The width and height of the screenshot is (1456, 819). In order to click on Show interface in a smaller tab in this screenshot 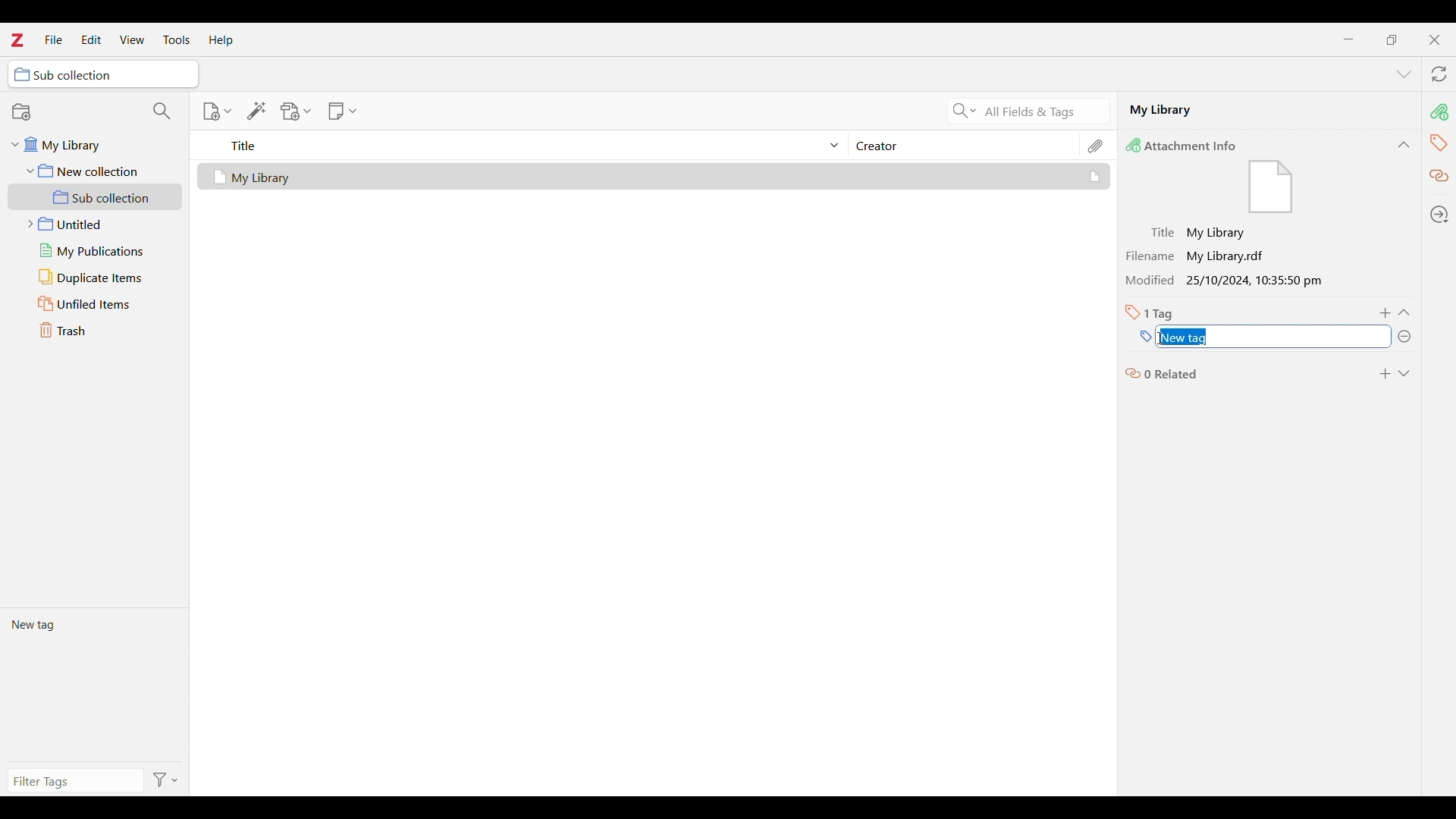, I will do `click(1392, 39)`.